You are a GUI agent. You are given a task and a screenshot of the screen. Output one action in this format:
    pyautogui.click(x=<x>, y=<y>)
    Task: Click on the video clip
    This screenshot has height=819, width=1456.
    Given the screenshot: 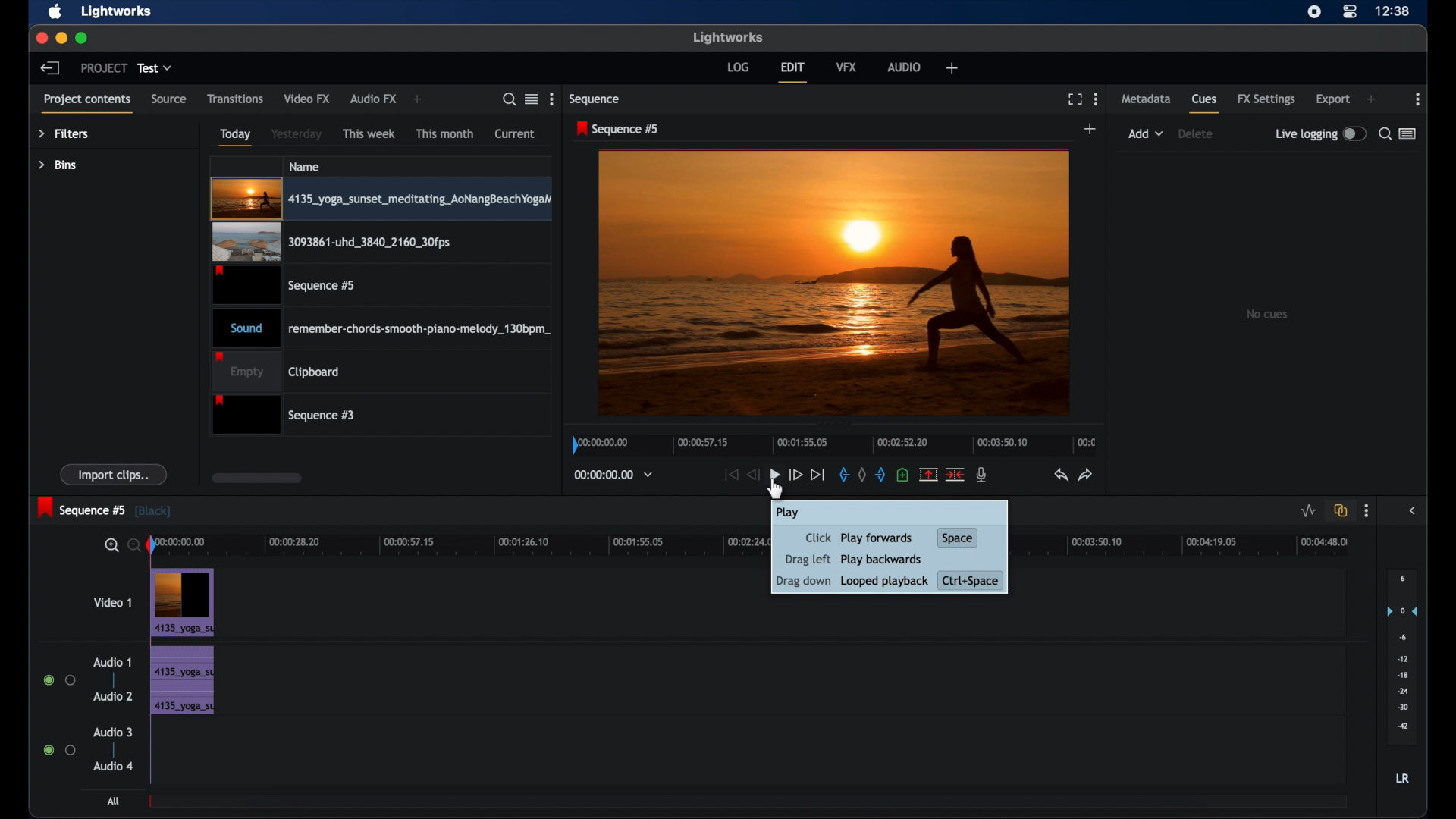 What is the action you would take?
    pyautogui.click(x=331, y=243)
    